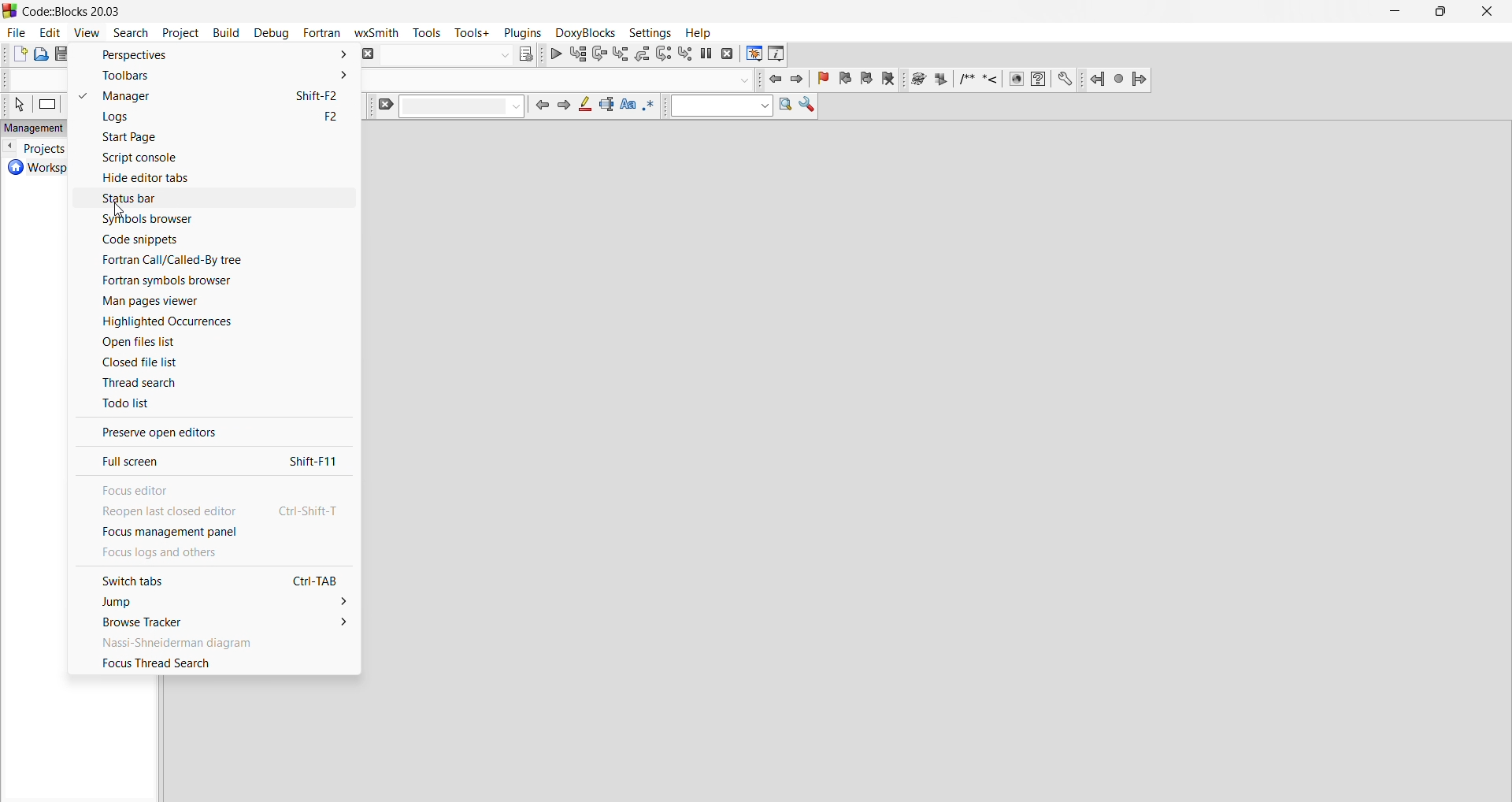 The width and height of the screenshot is (1512, 802). What do you see at coordinates (917, 79) in the screenshot?
I see `Run doxywizard` at bounding box center [917, 79].